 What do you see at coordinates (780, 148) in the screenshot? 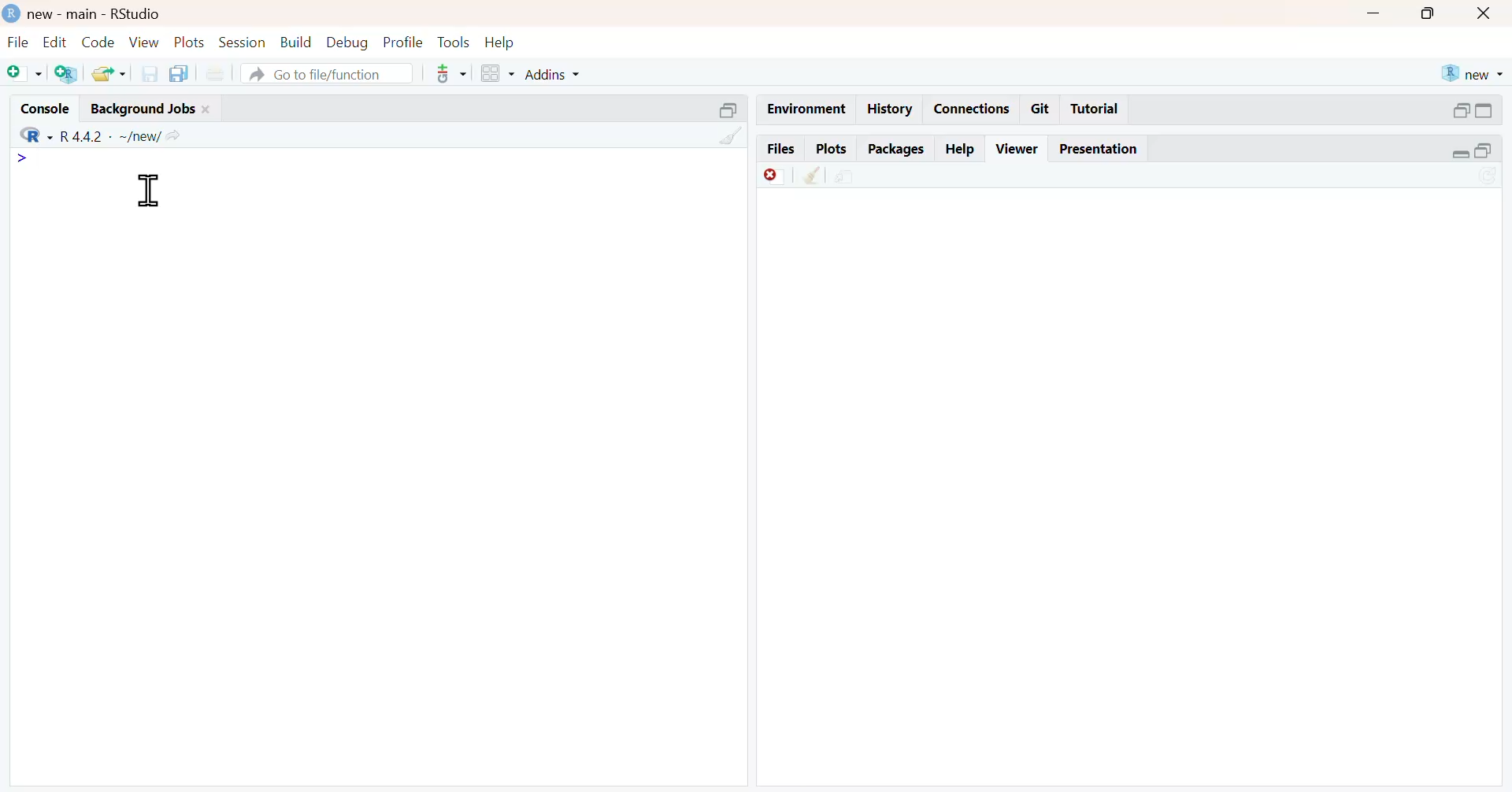
I see `files` at bounding box center [780, 148].